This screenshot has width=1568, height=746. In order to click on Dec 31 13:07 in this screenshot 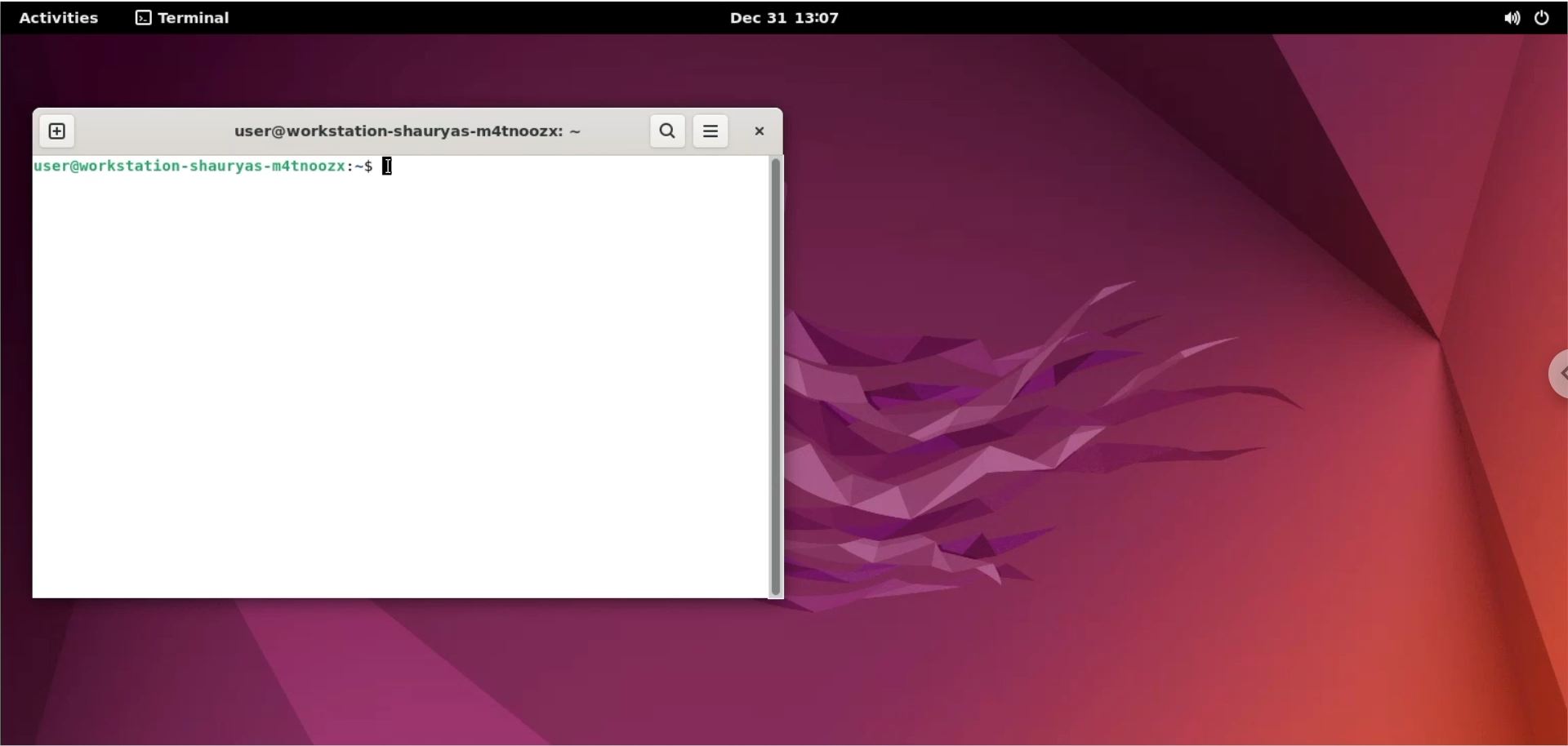, I will do `click(808, 20)`.